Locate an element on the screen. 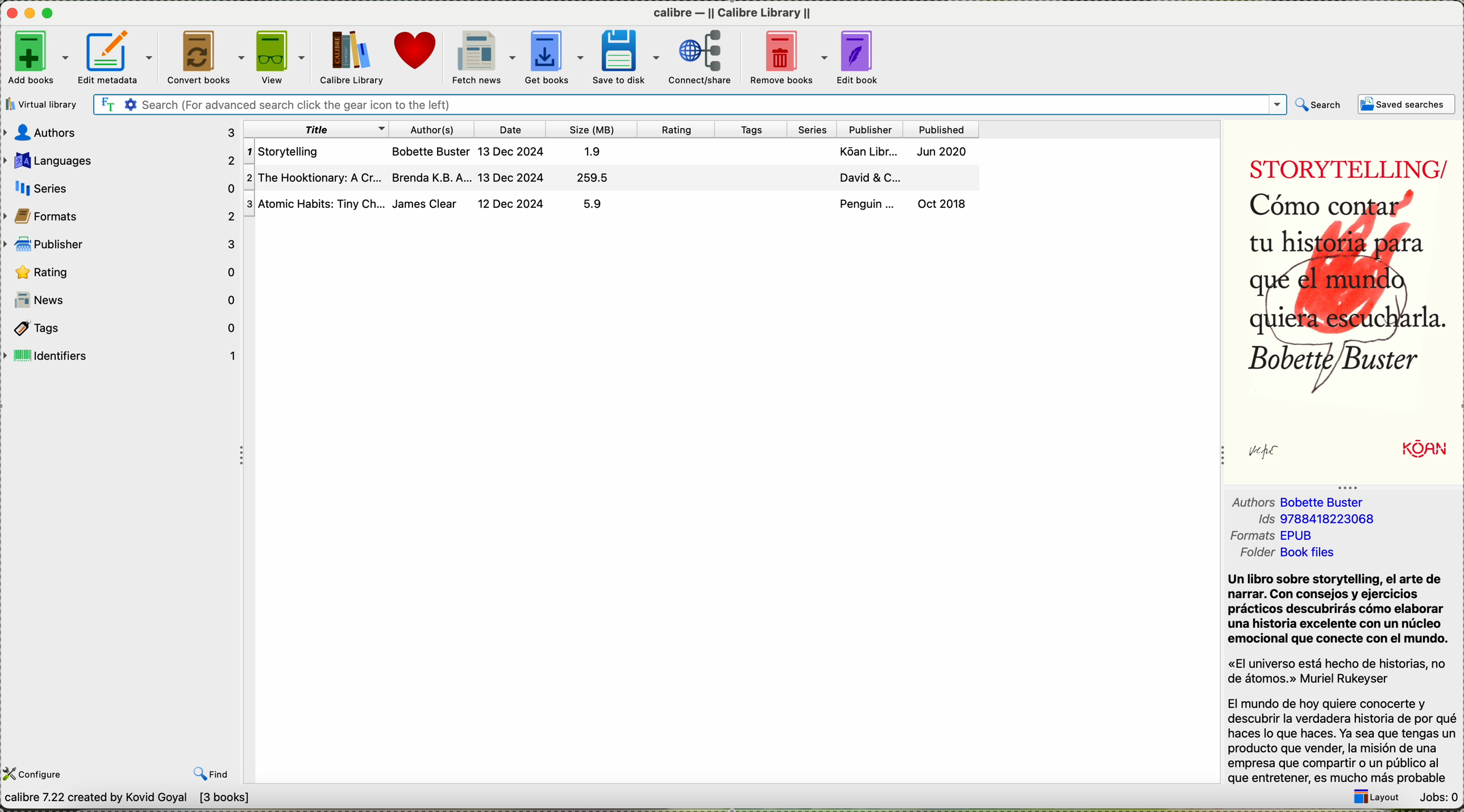  calibre library is located at coordinates (733, 13).